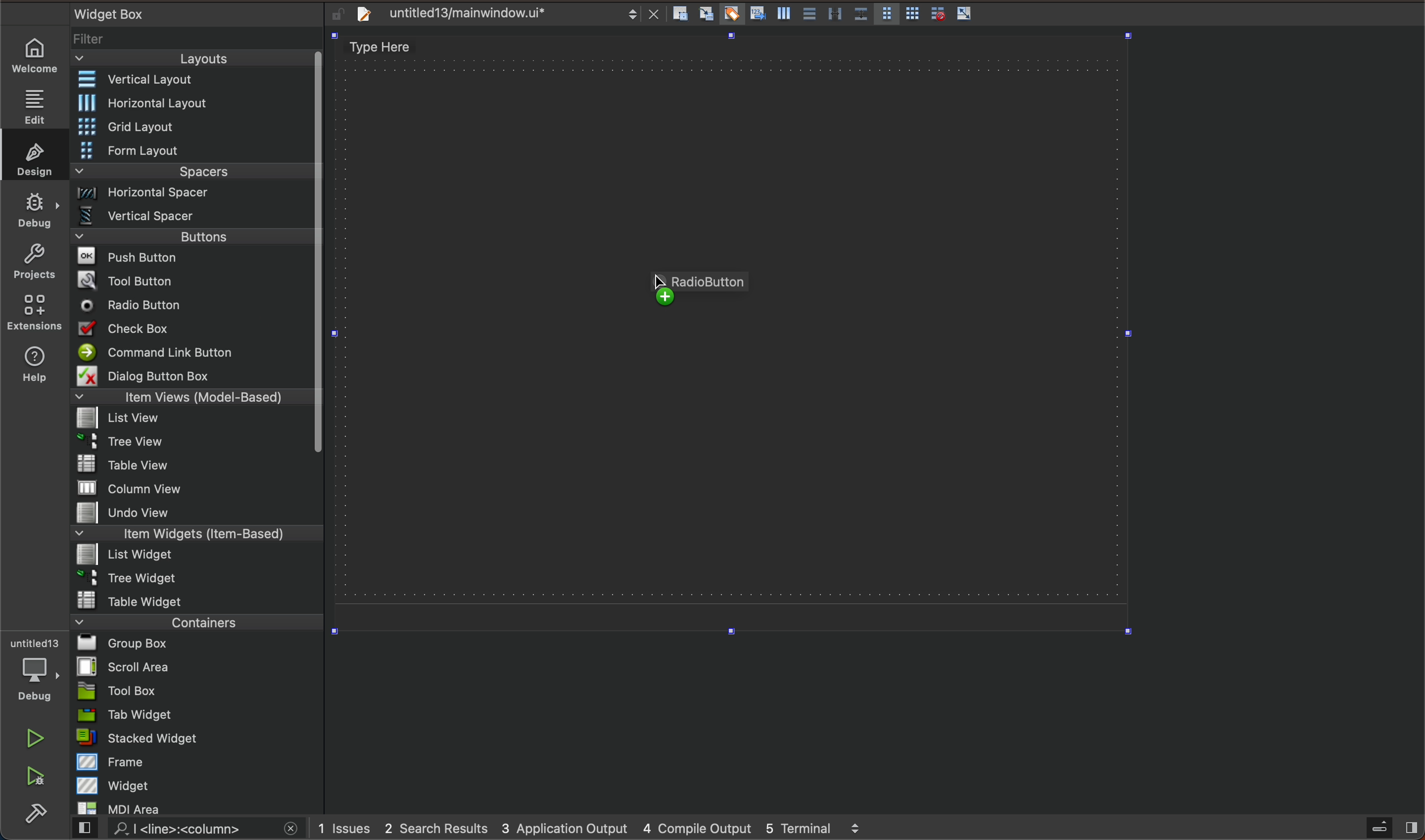  What do you see at coordinates (192, 306) in the screenshot?
I see `radio` at bounding box center [192, 306].